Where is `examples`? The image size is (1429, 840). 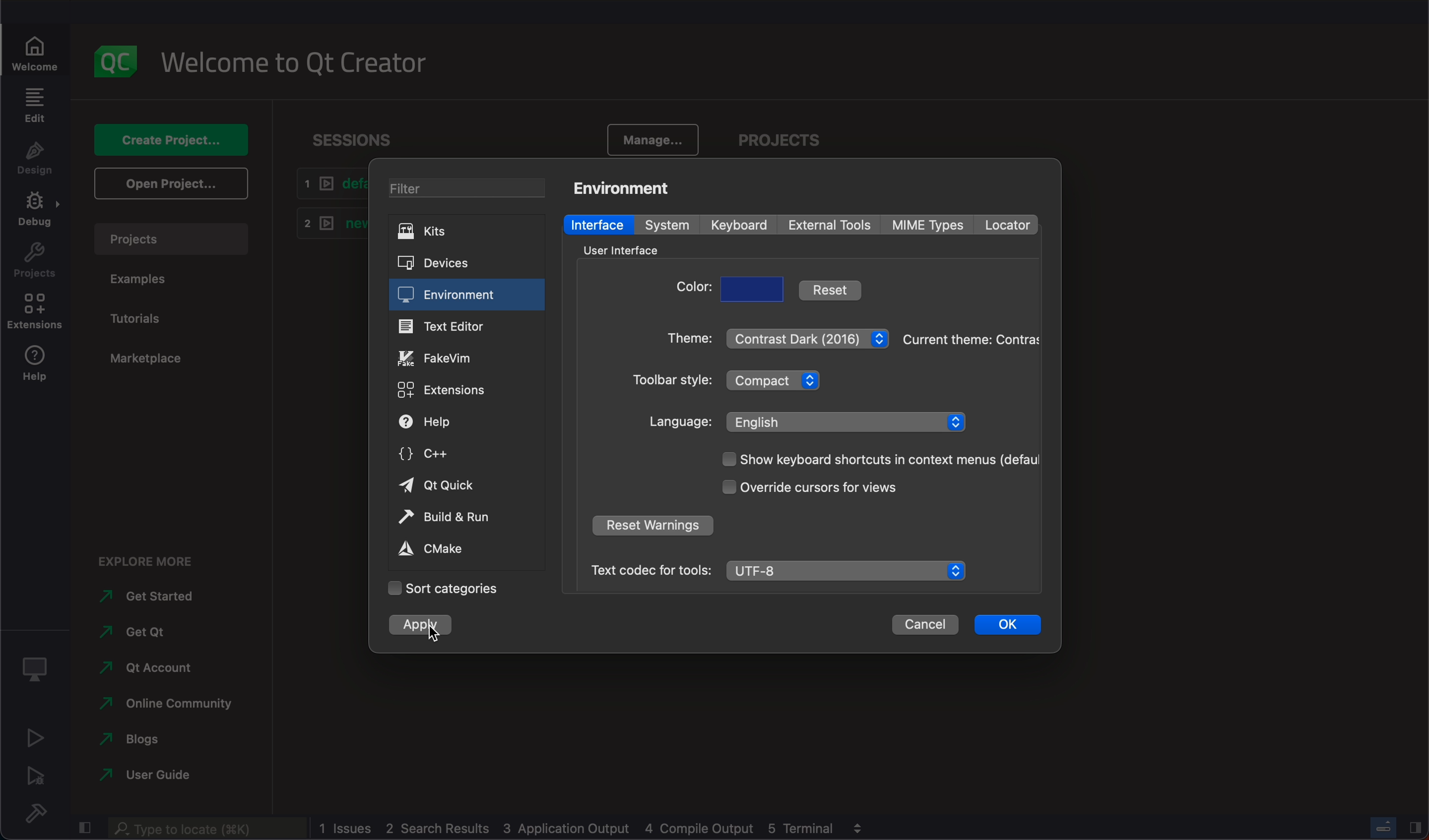 examples is located at coordinates (146, 278).